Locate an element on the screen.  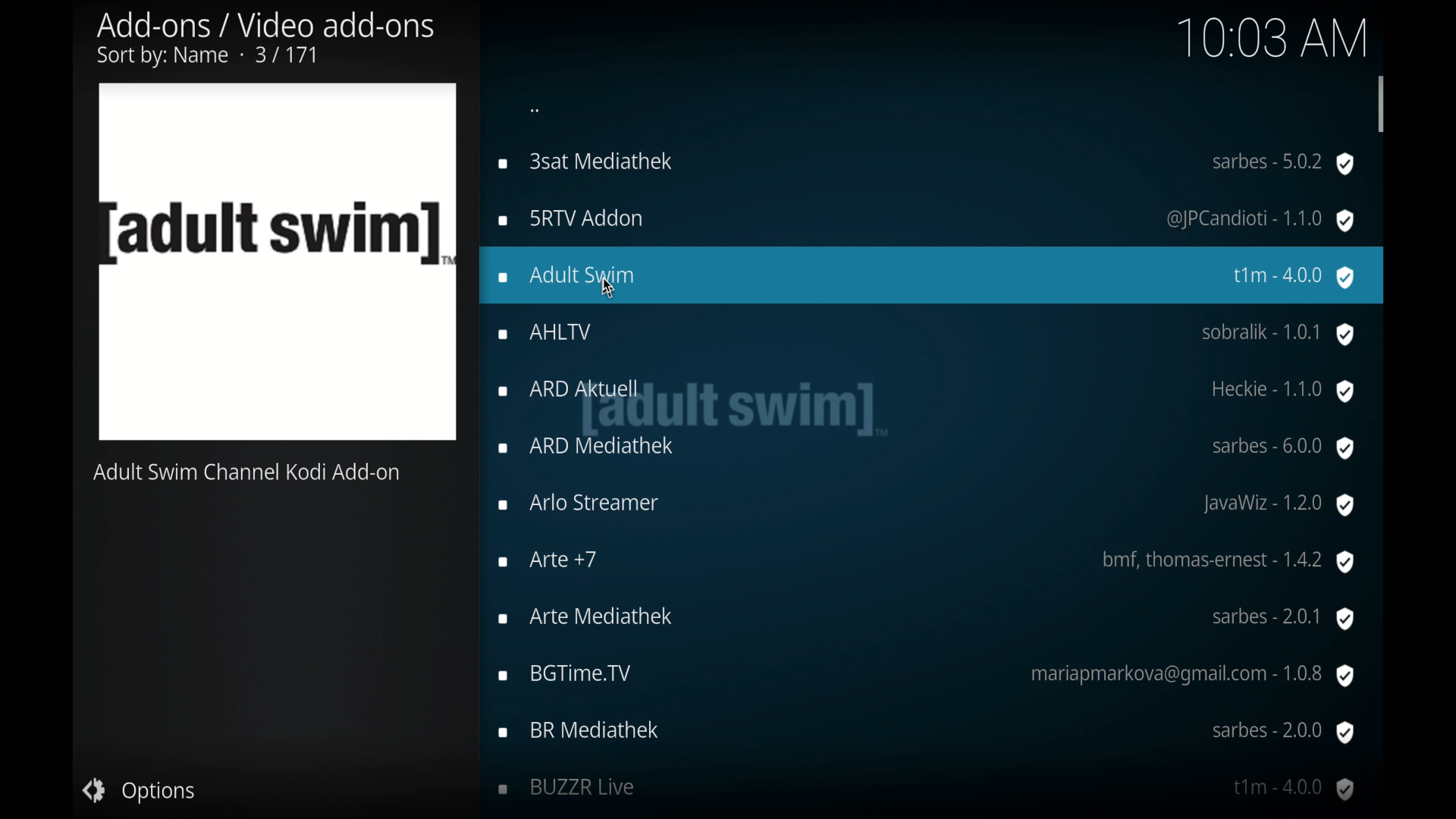
info is located at coordinates (247, 472).